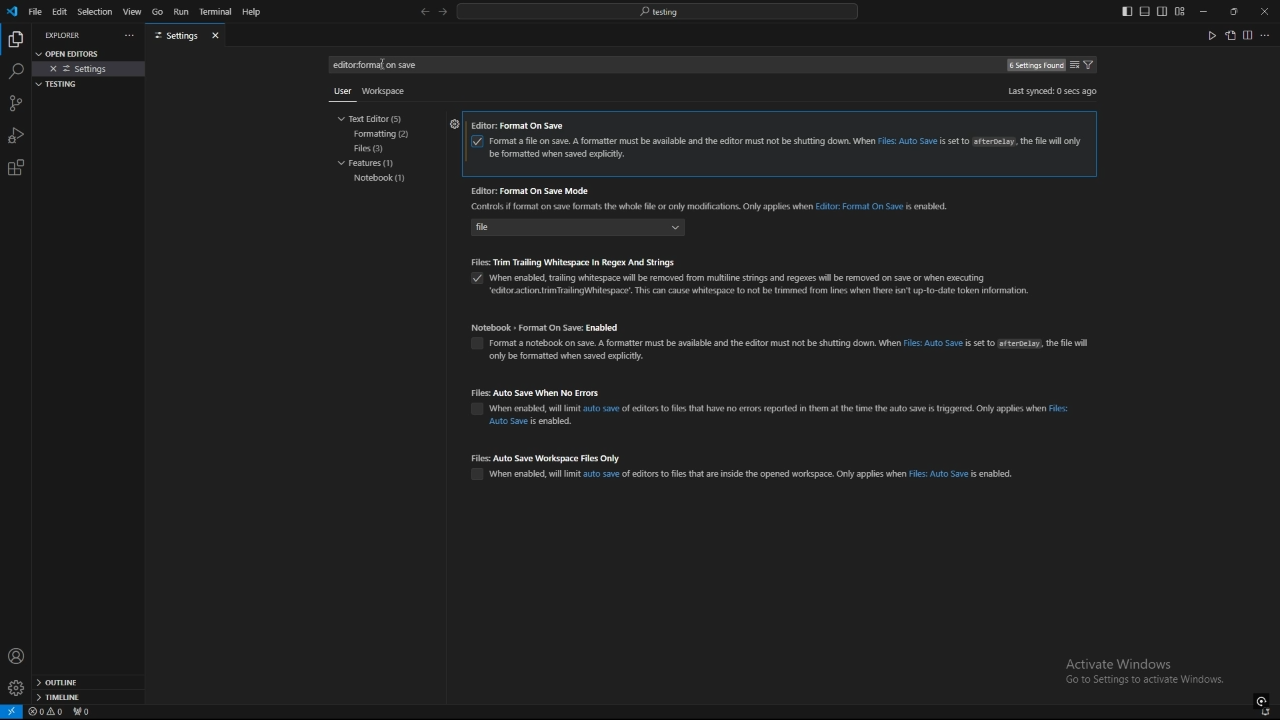 The height and width of the screenshot is (720, 1280). What do you see at coordinates (180, 12) in the screenshot?
I see `run` at bounding box center [180, 12].